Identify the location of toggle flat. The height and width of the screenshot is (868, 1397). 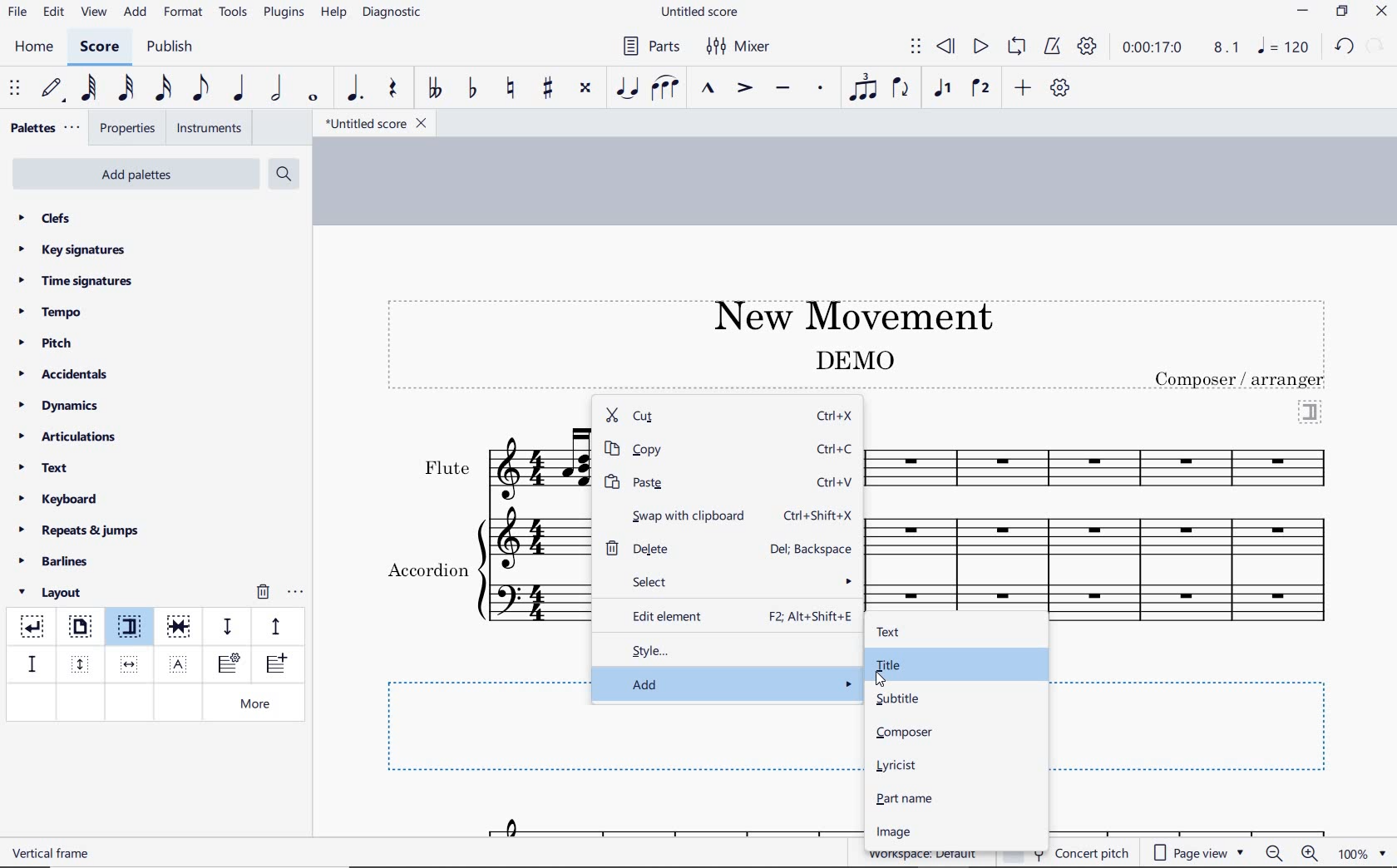
(471, 89).